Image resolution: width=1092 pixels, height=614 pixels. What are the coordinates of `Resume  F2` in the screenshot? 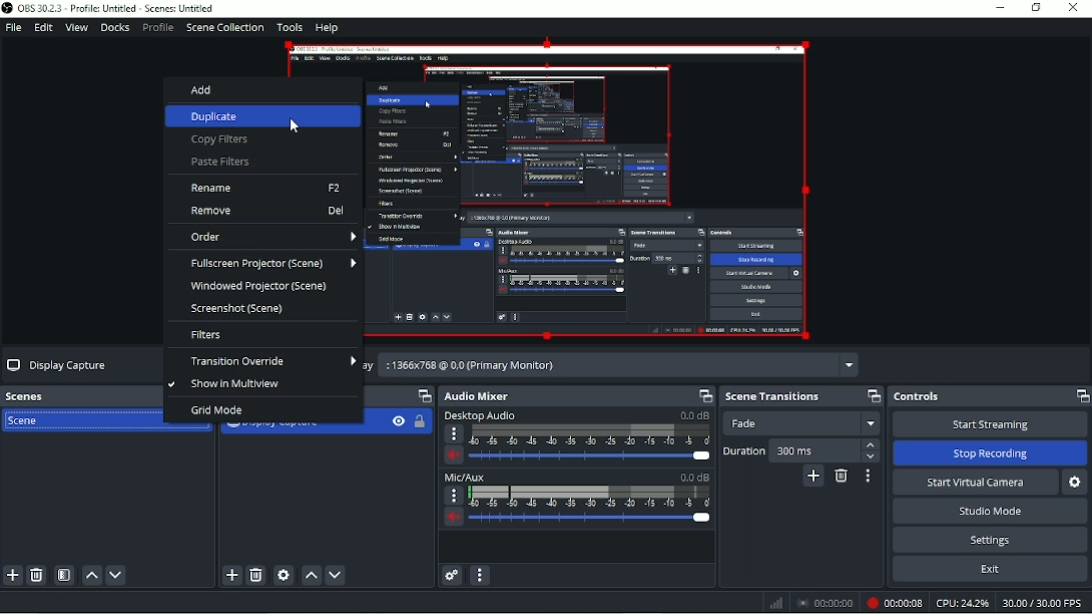 It's located at (268, 188).